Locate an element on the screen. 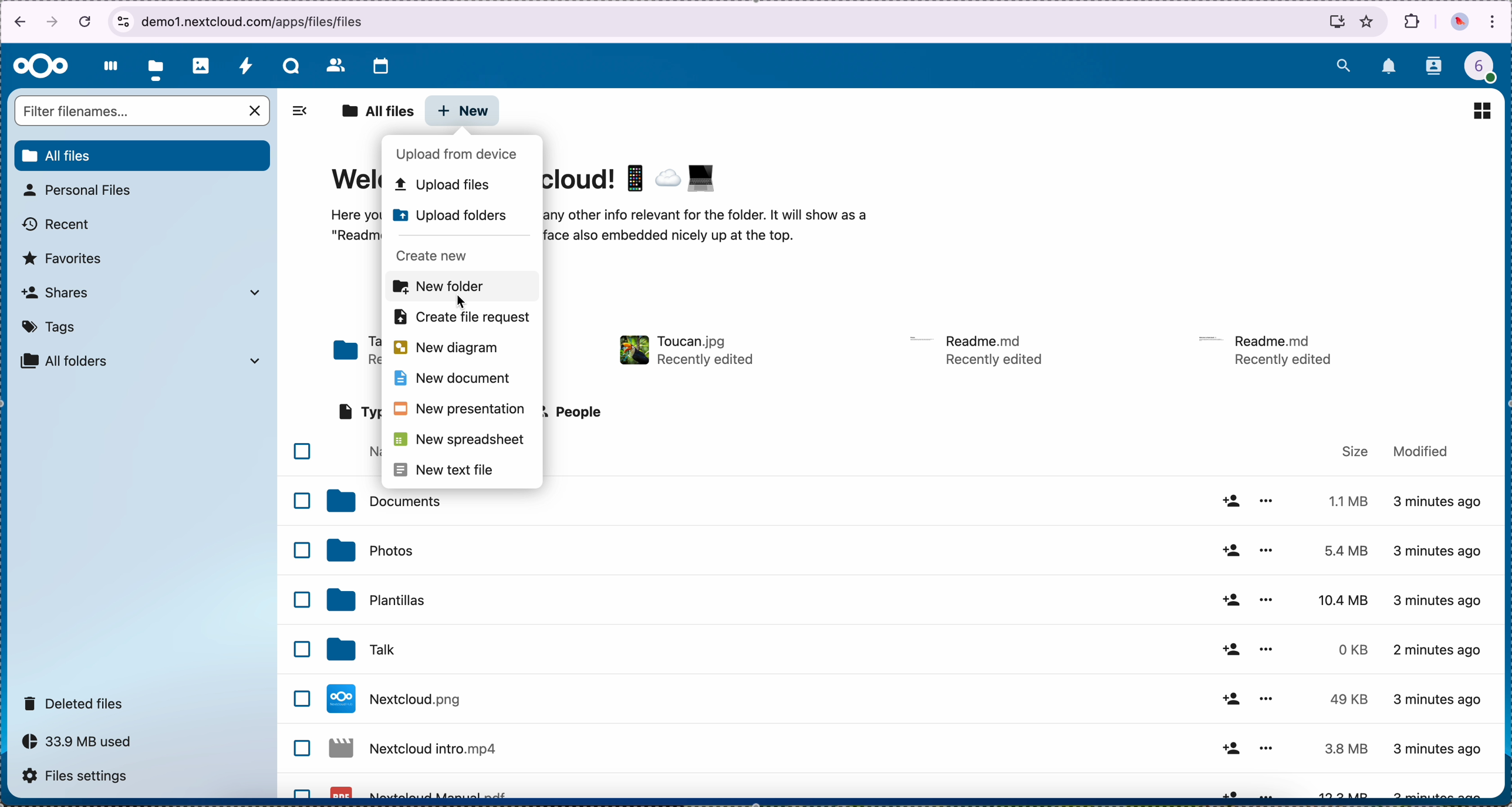 Image resolution: width=1512 pixels, height=807 pixels. more options is located at coordinates (1269, 501).